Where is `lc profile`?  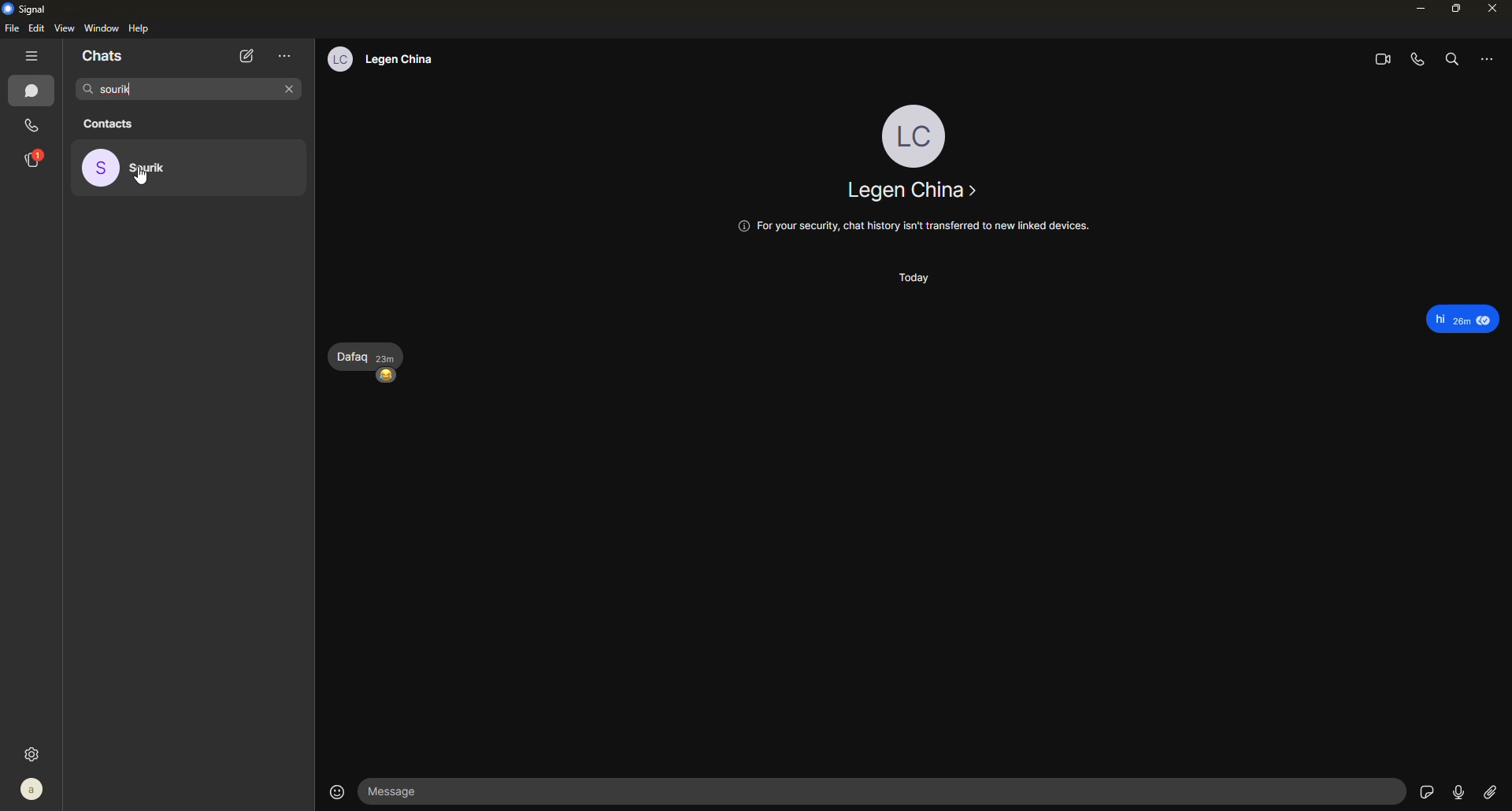
lc profile is located at coordinates (335, 60).